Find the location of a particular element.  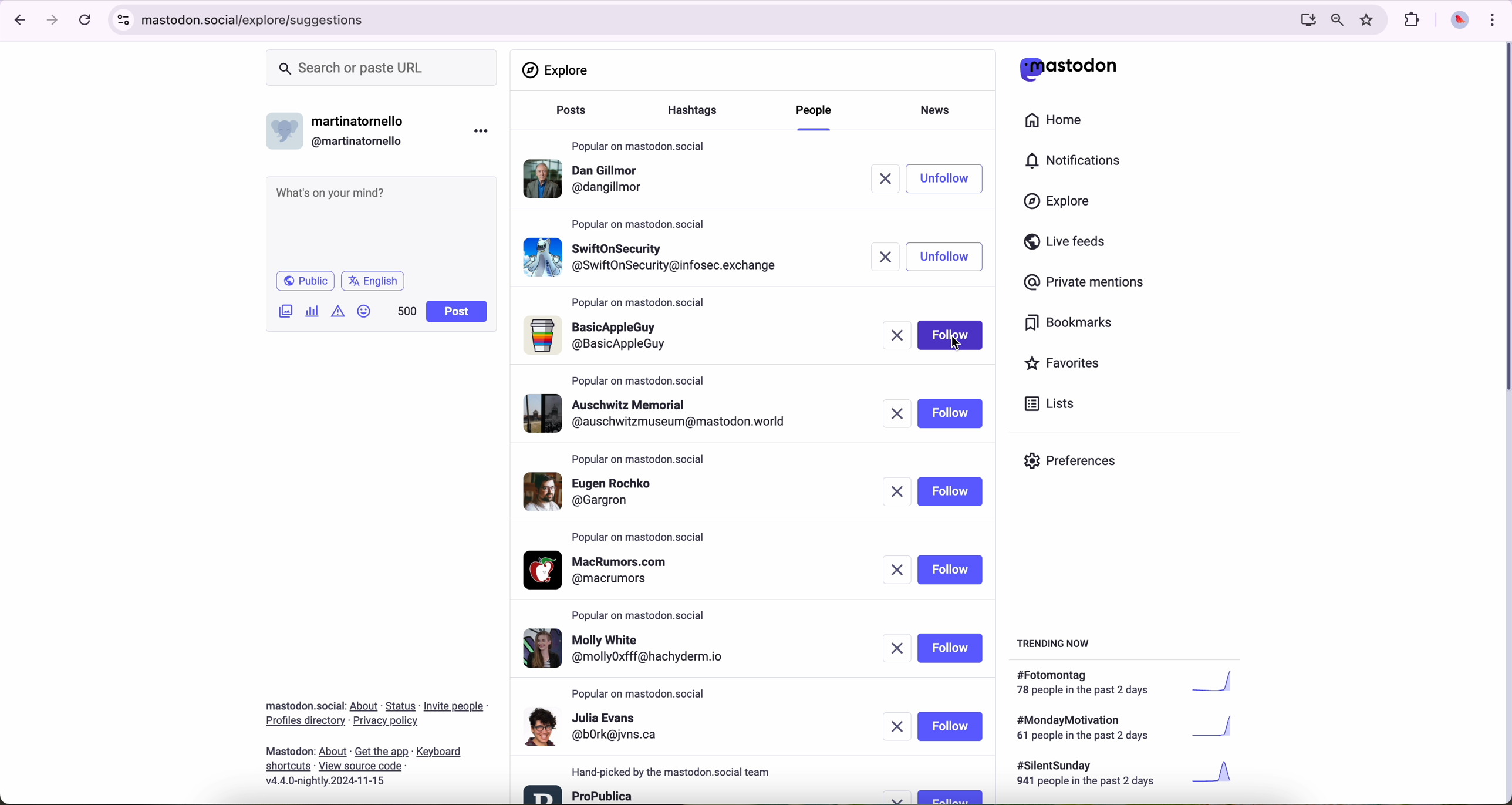

emoji is located at coordinates (365, 311).